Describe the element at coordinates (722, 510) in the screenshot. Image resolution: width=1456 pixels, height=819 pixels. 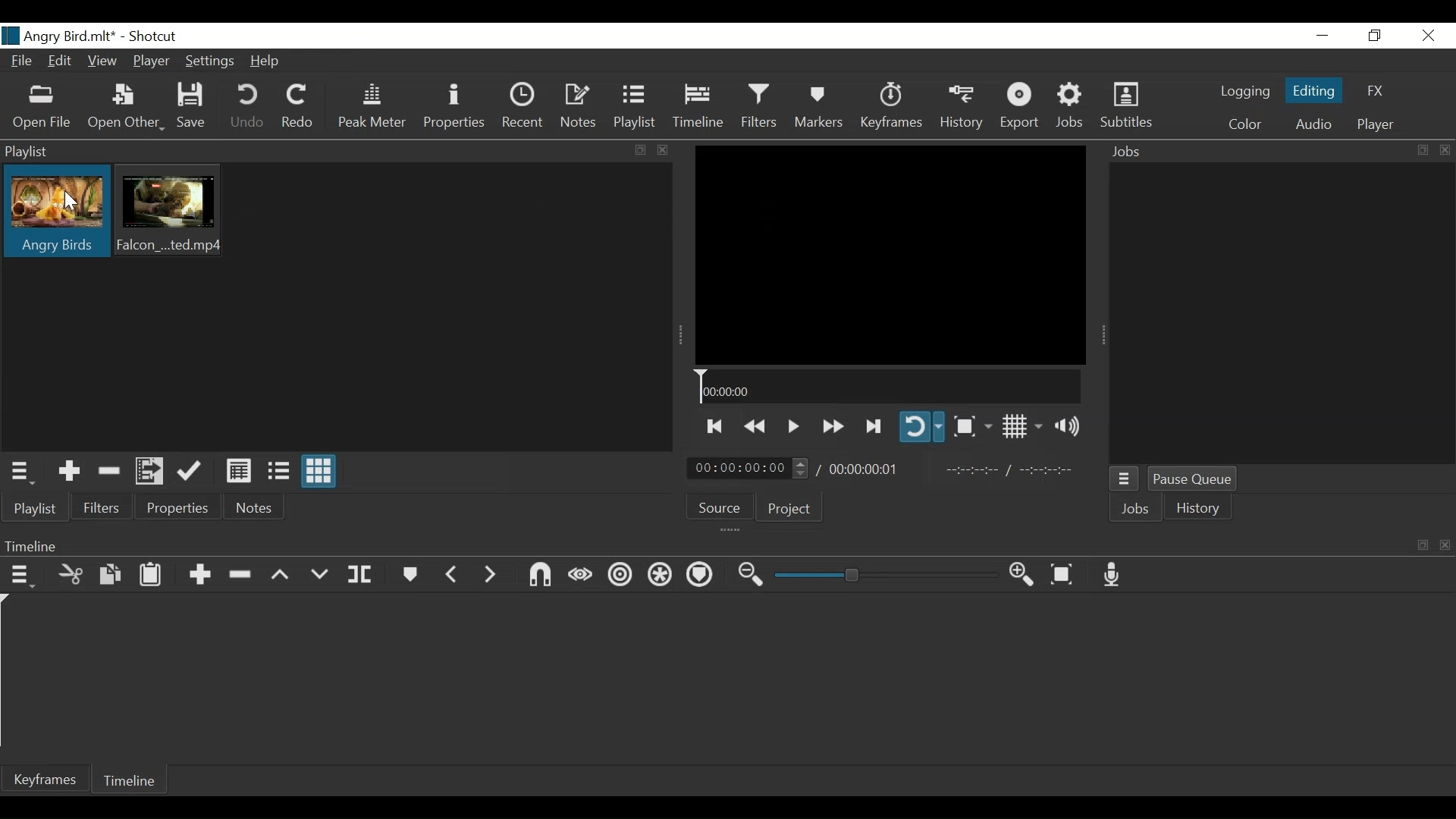
I see `Source` at that location.